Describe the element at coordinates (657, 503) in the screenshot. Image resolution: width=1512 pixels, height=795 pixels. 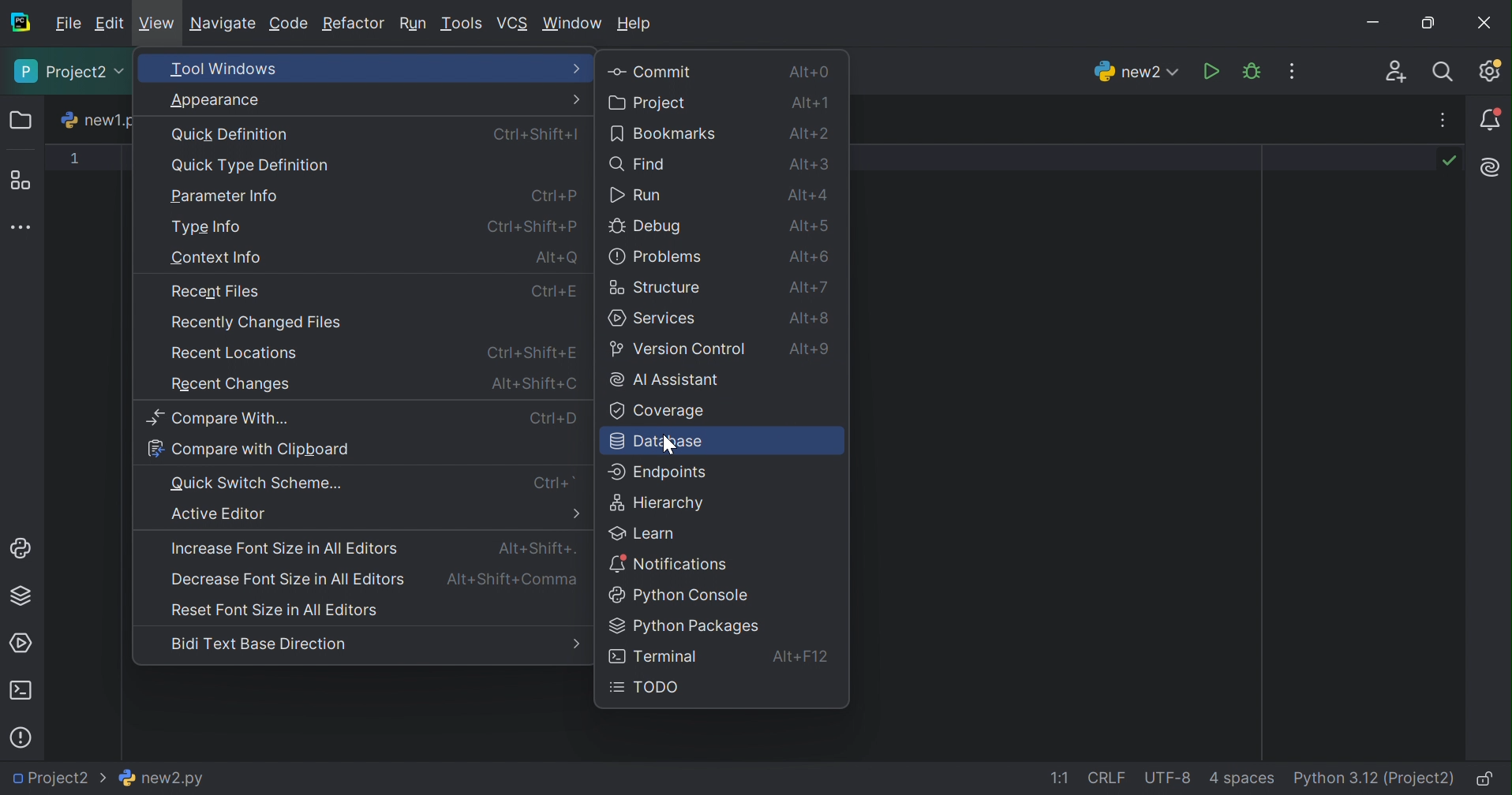
I see `Hierarchy` at that location.